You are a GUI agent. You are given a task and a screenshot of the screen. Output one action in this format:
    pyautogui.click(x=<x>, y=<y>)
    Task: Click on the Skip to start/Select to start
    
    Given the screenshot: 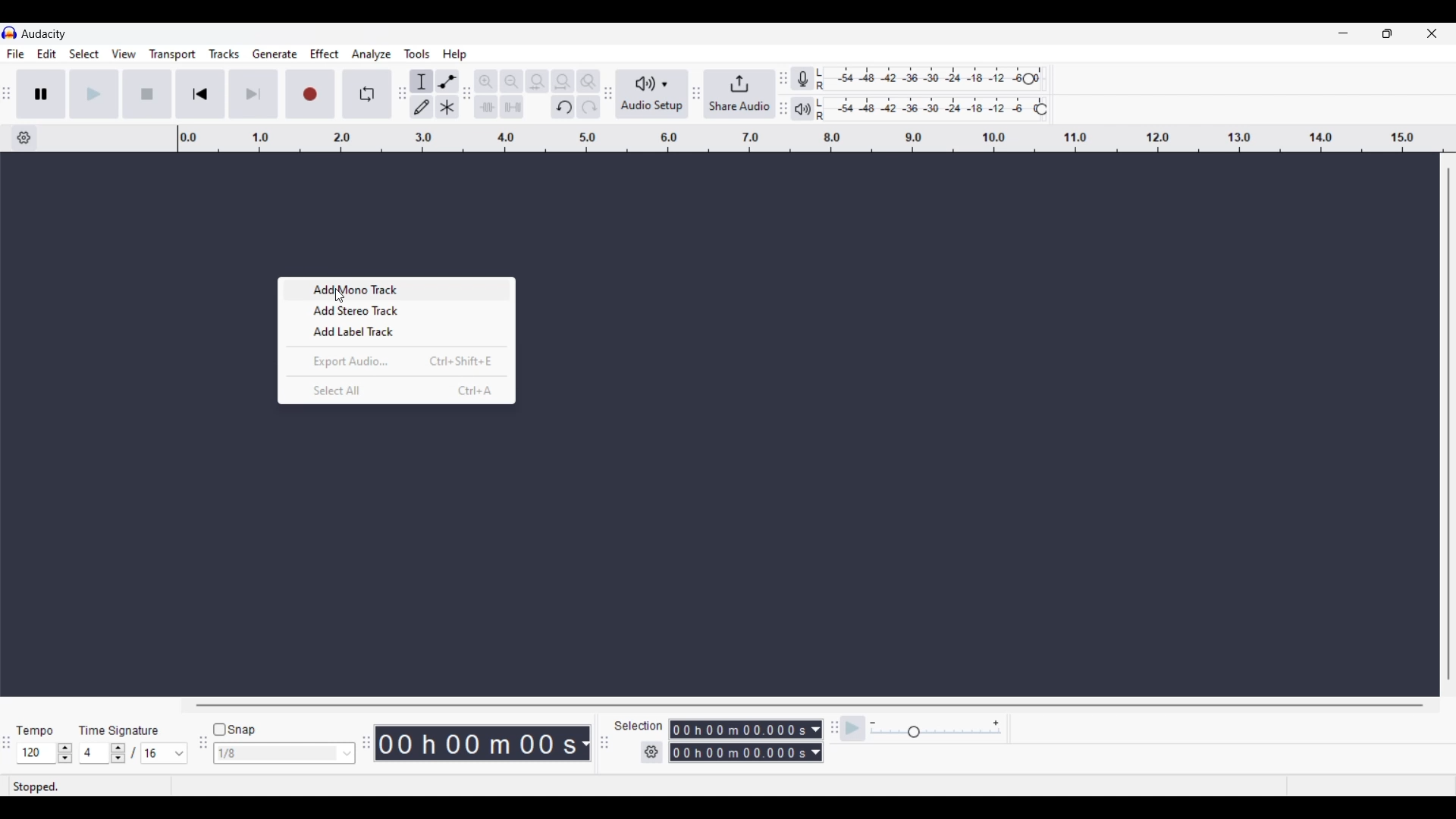 What is the action you would take?
    pyautogui.click(x=200, y=93)
    